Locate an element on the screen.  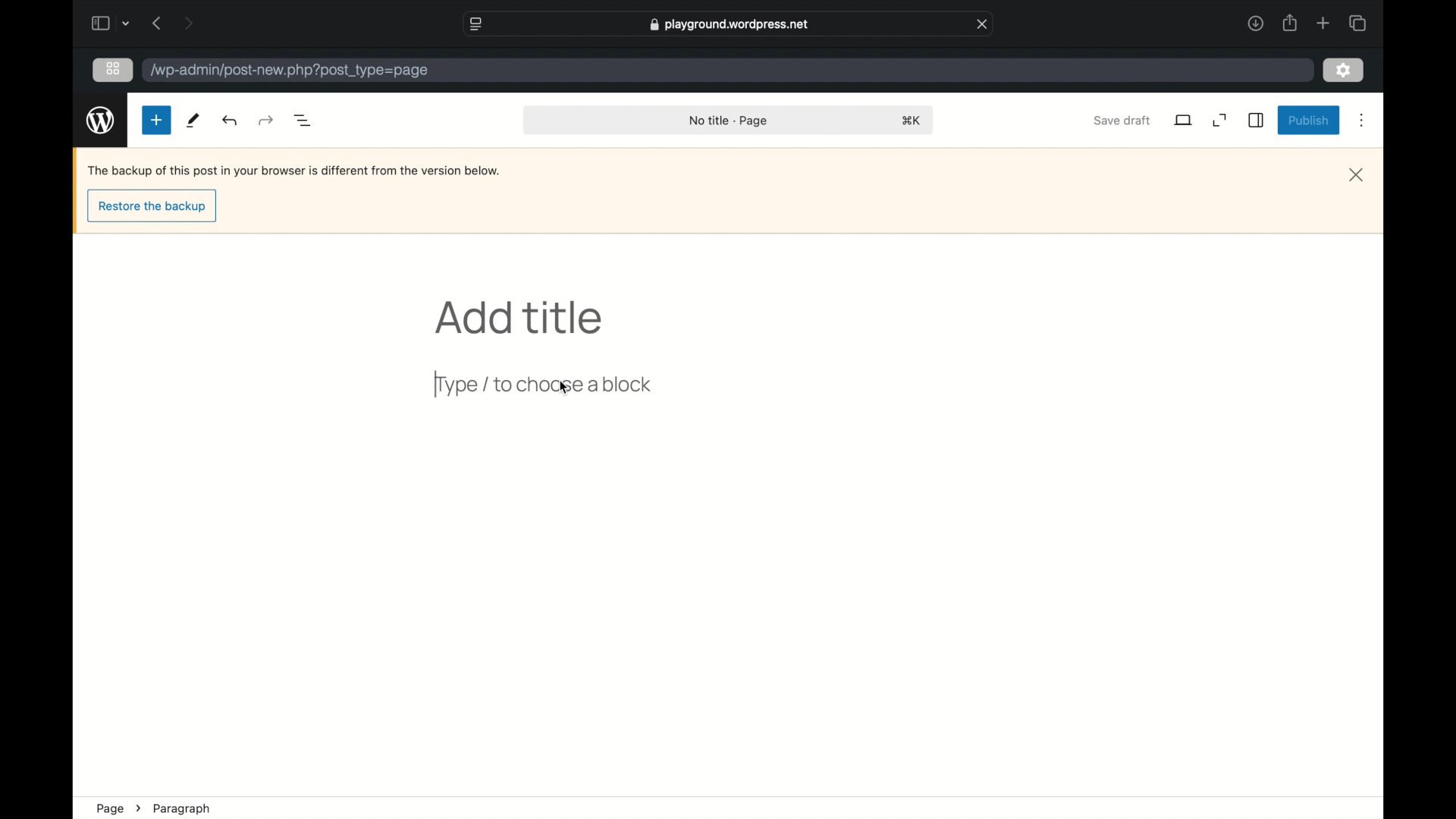
website settings is located at coordinates (475, 23).